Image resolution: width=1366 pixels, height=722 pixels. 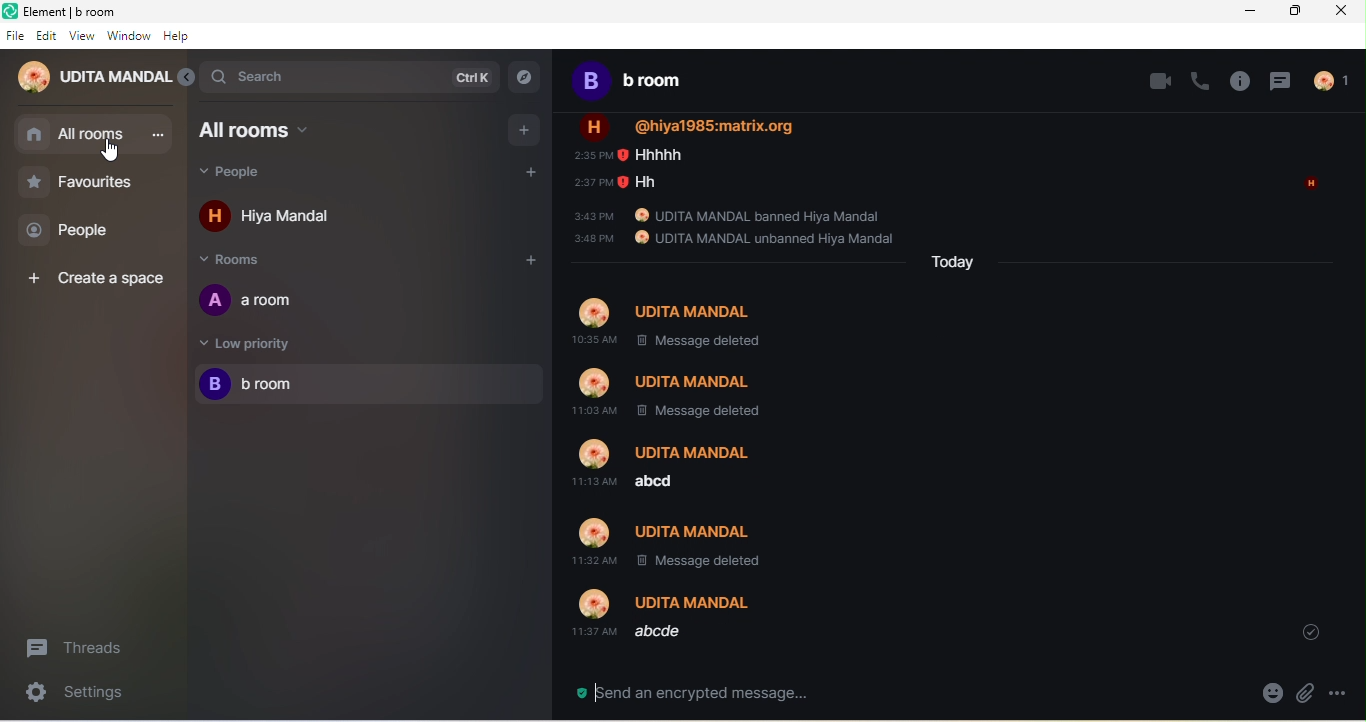 I want to click on low priority, so click(x=251, y=342).